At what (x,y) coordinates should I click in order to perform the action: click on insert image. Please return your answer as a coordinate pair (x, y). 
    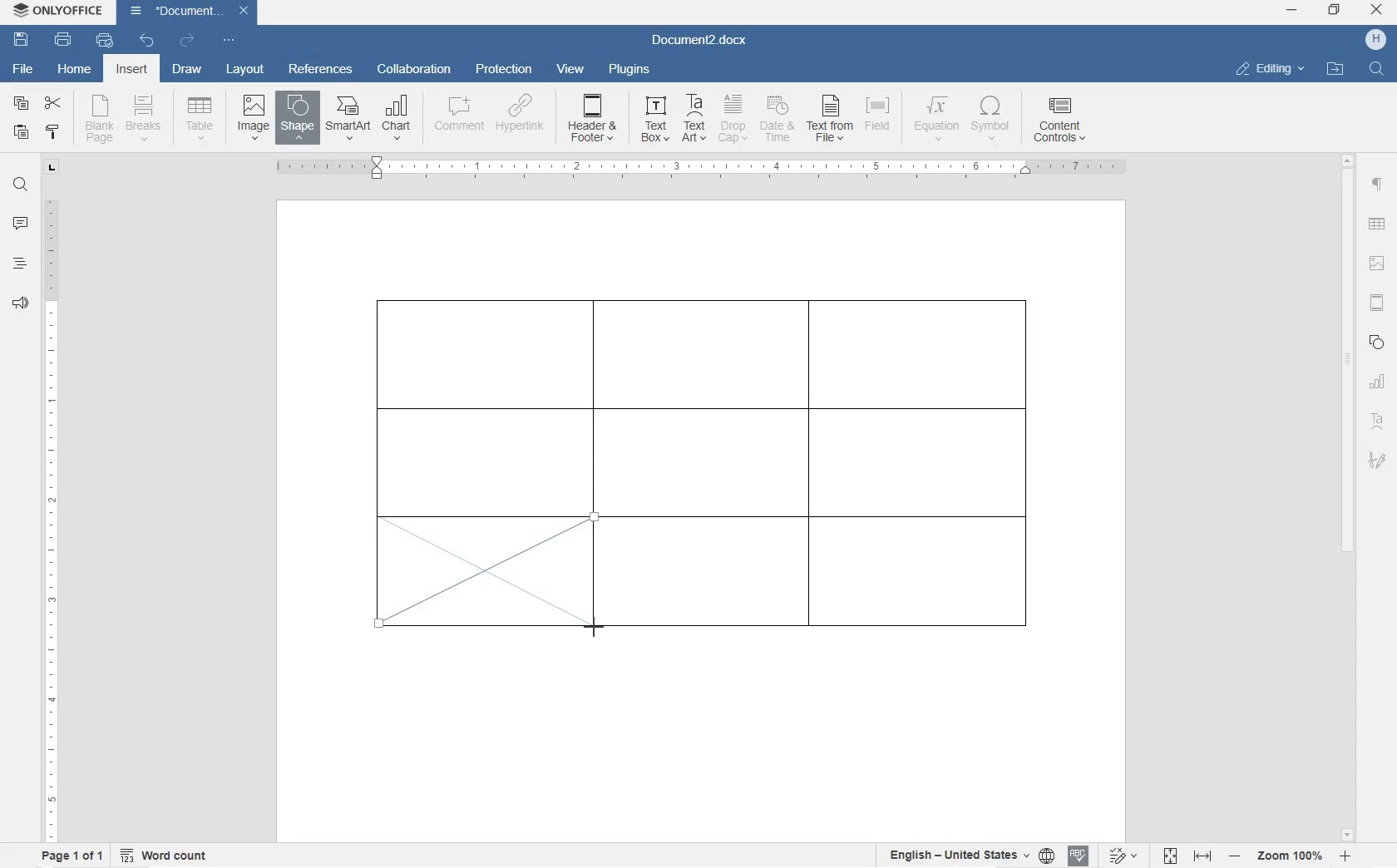
    Looking at the image, I should click on (254, 116).